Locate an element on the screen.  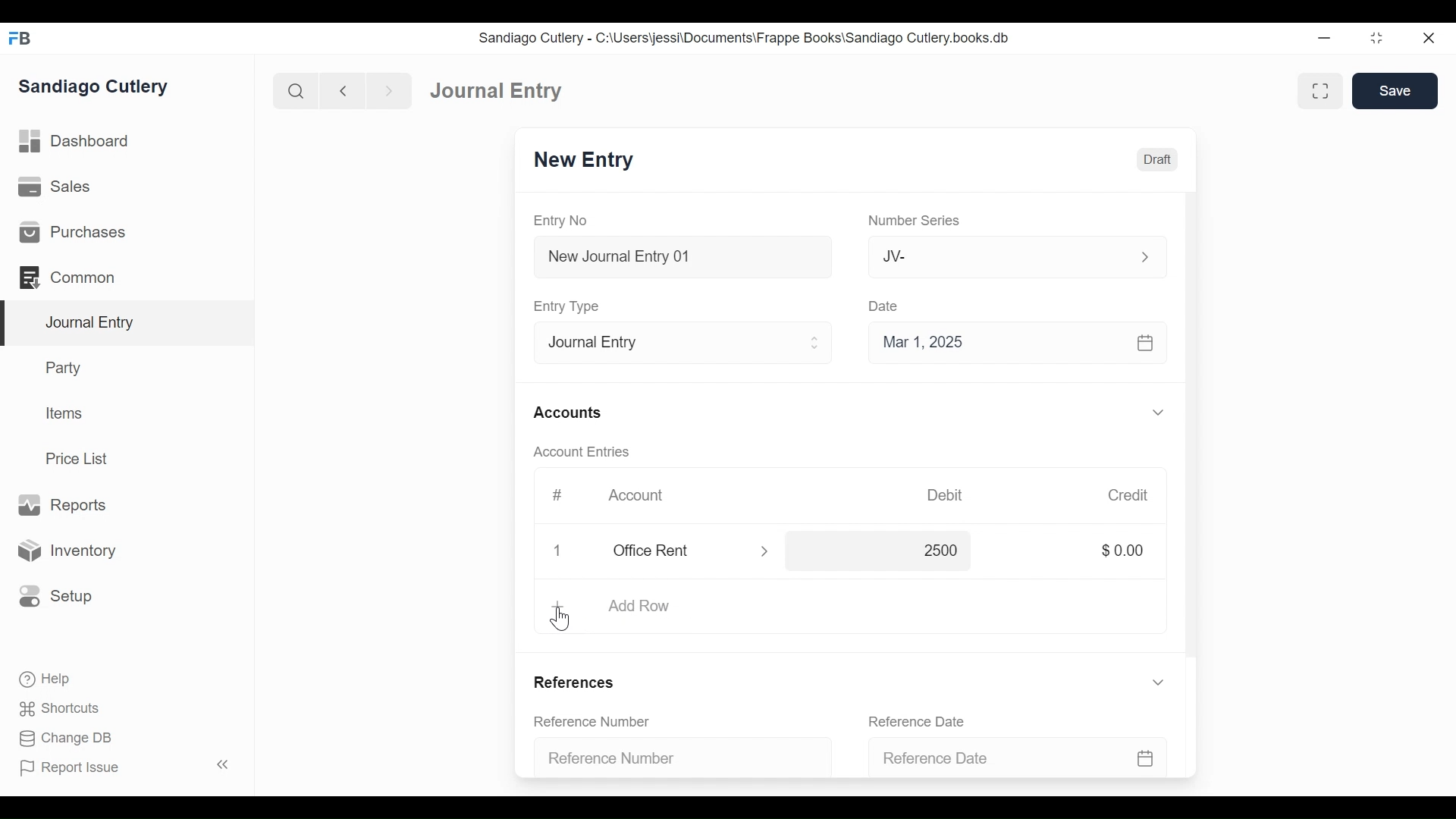
References is located at coordinates (580, 685).